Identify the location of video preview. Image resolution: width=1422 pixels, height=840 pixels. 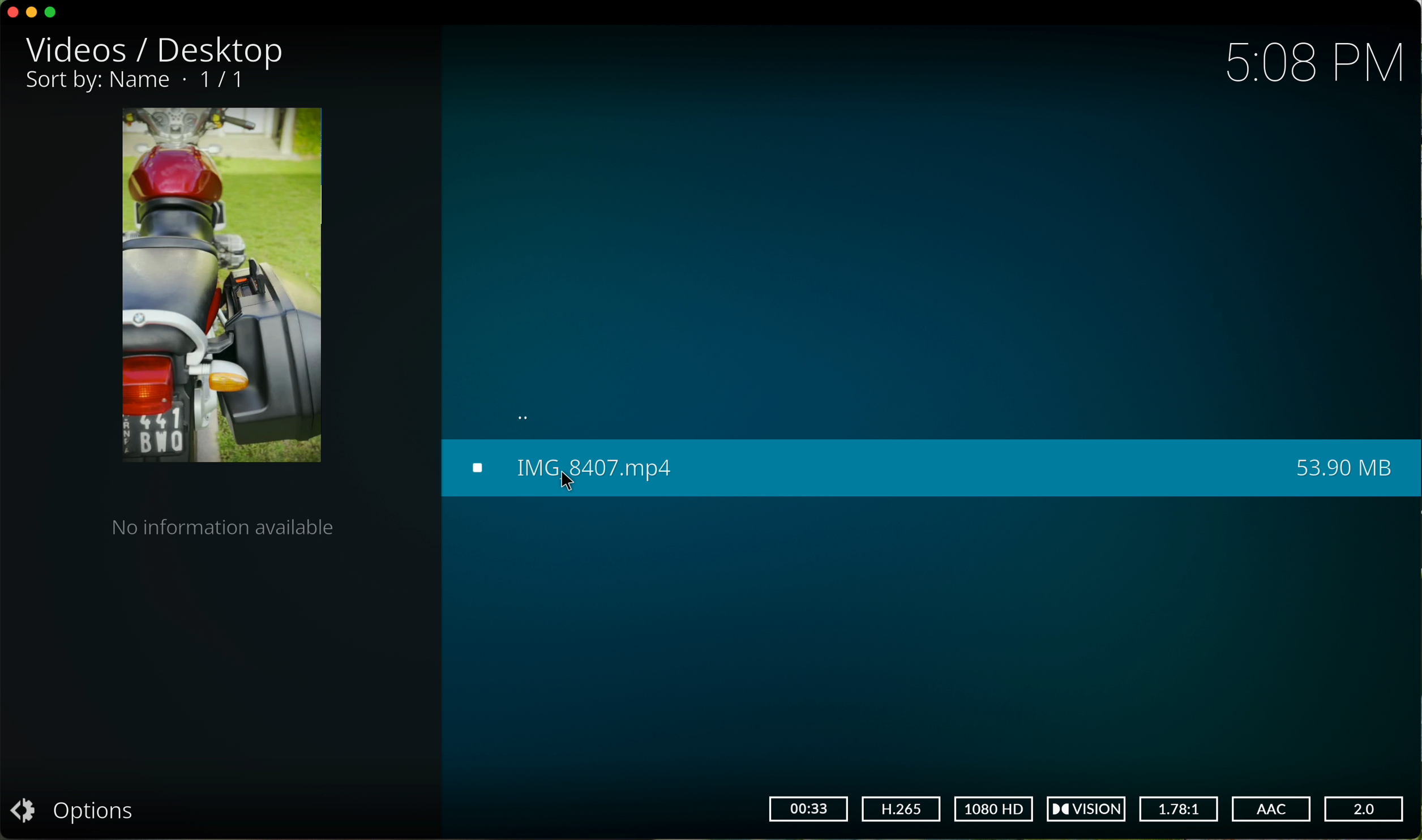
(220, 288).